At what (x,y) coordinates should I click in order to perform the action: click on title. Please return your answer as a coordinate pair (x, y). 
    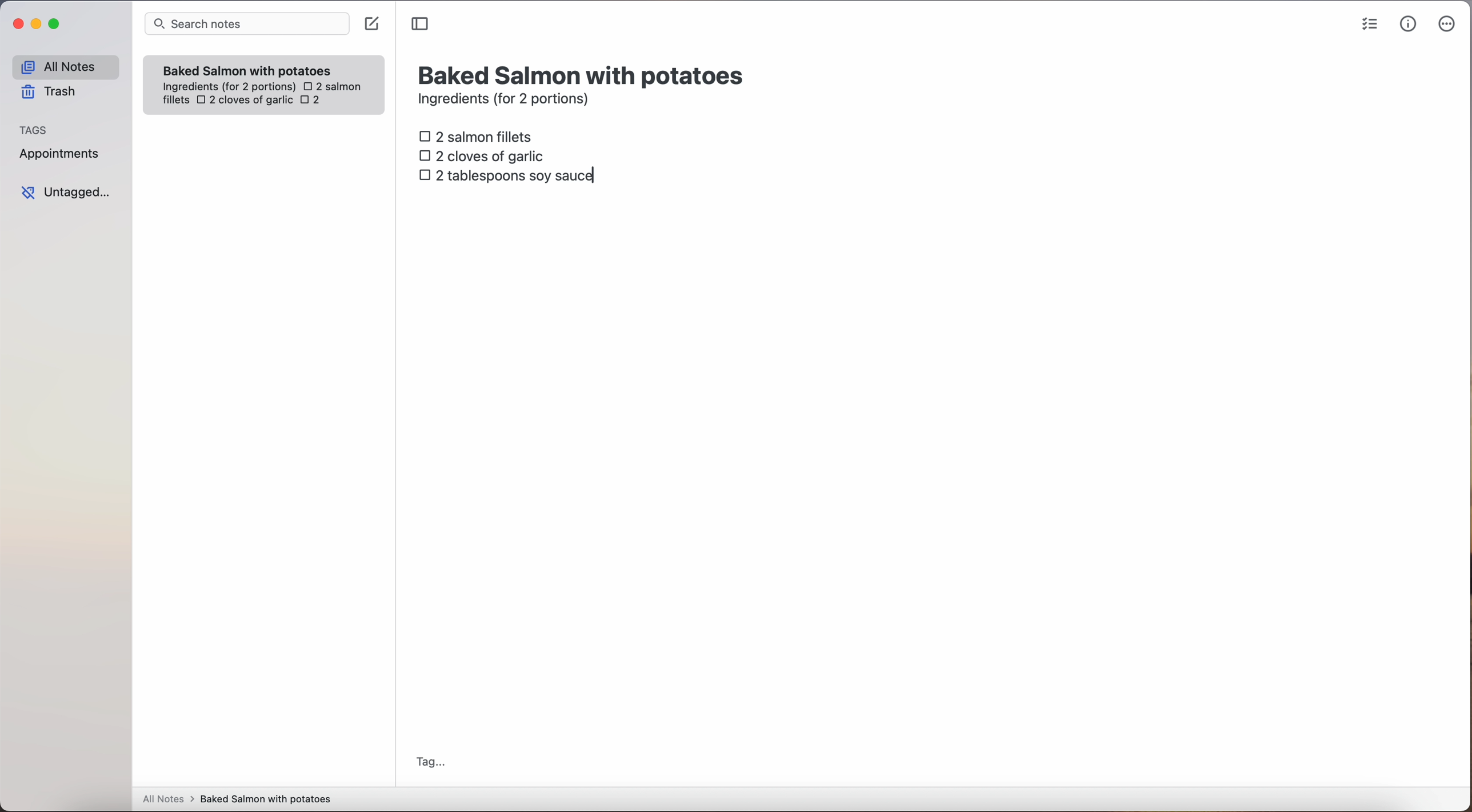
    Looking at the image, I should click on (583, 74).